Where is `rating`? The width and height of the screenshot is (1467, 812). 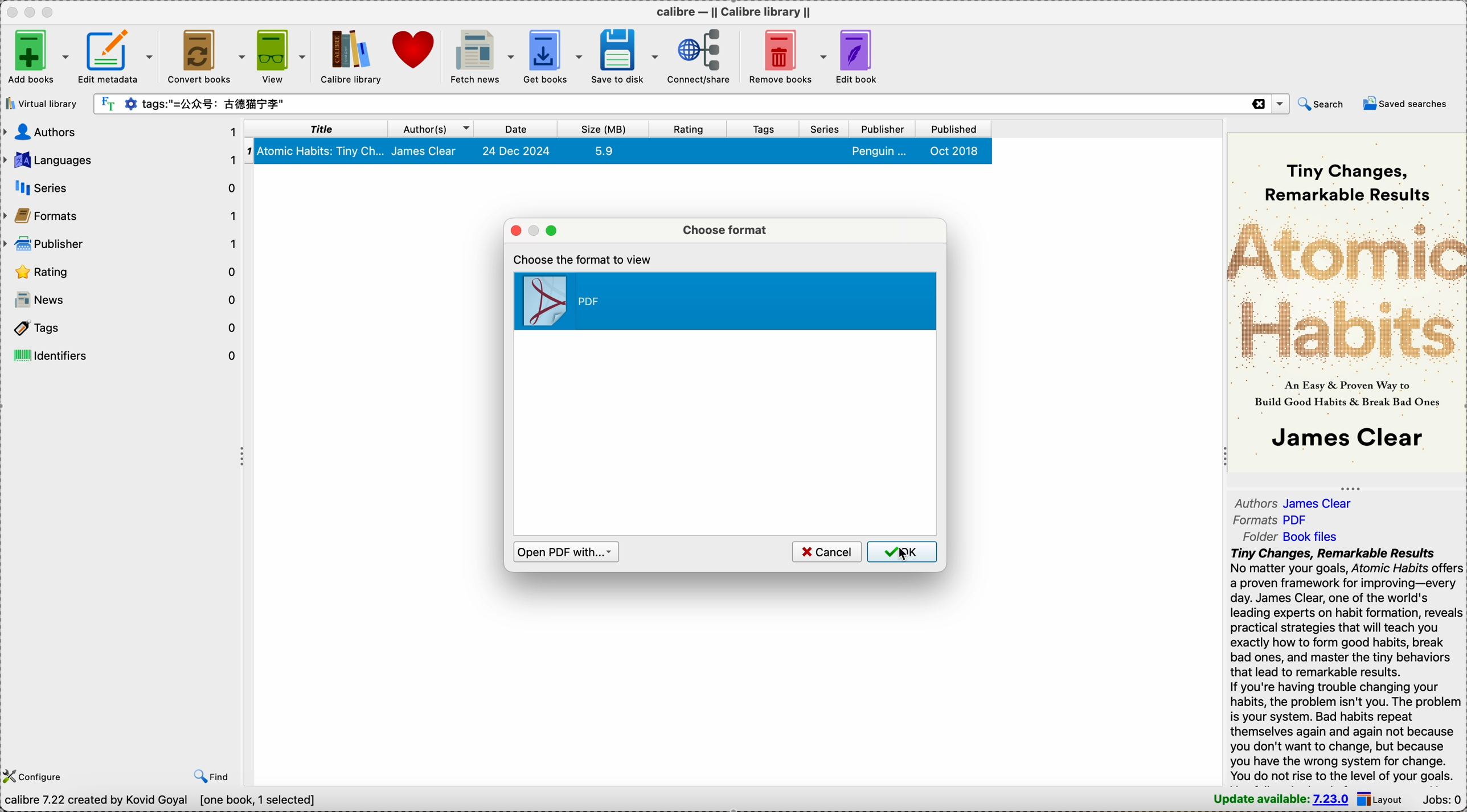 rating is located at coordinates (689, 128).